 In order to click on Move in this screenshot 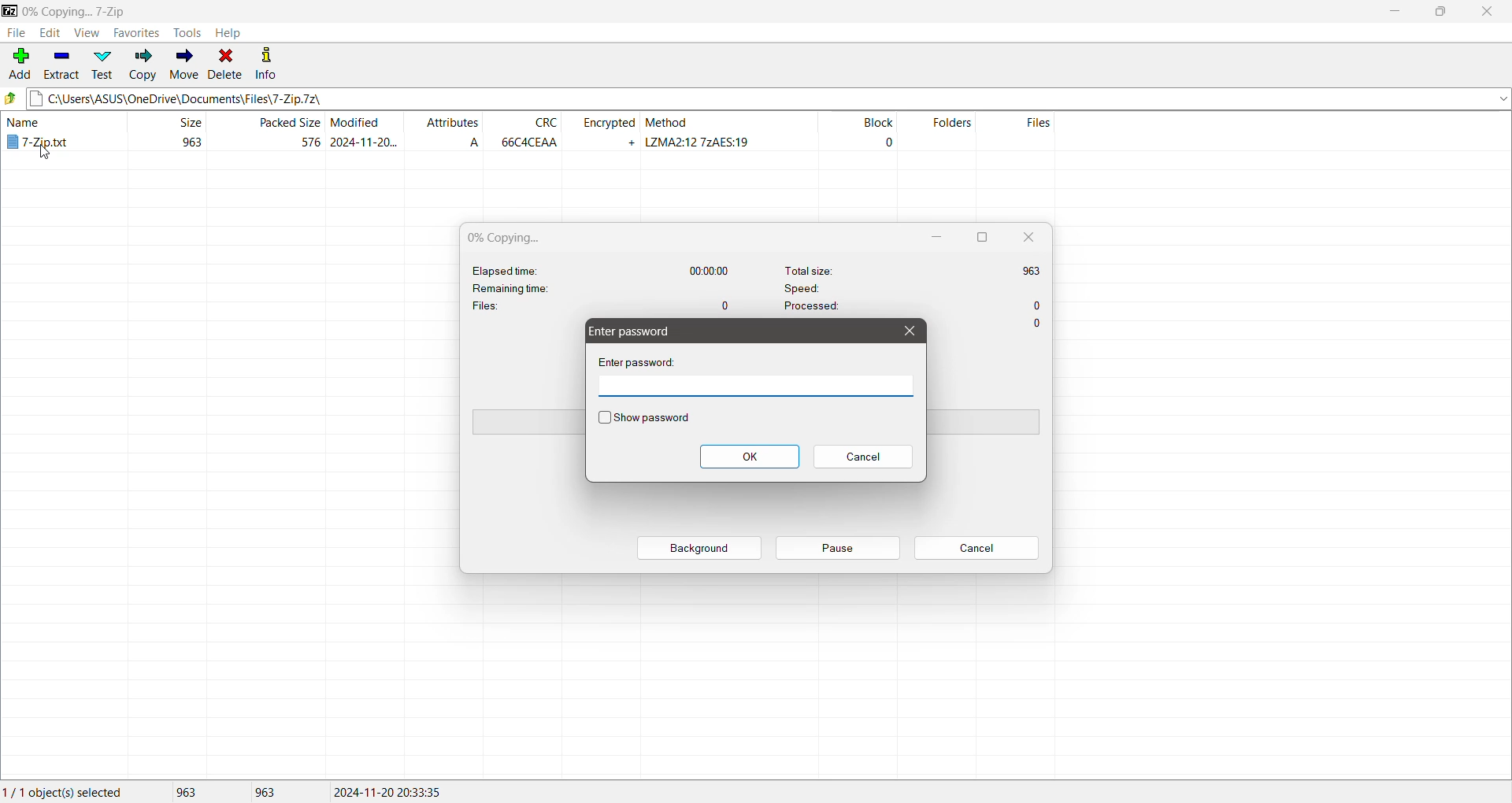, I will do `click(184, 62)`.